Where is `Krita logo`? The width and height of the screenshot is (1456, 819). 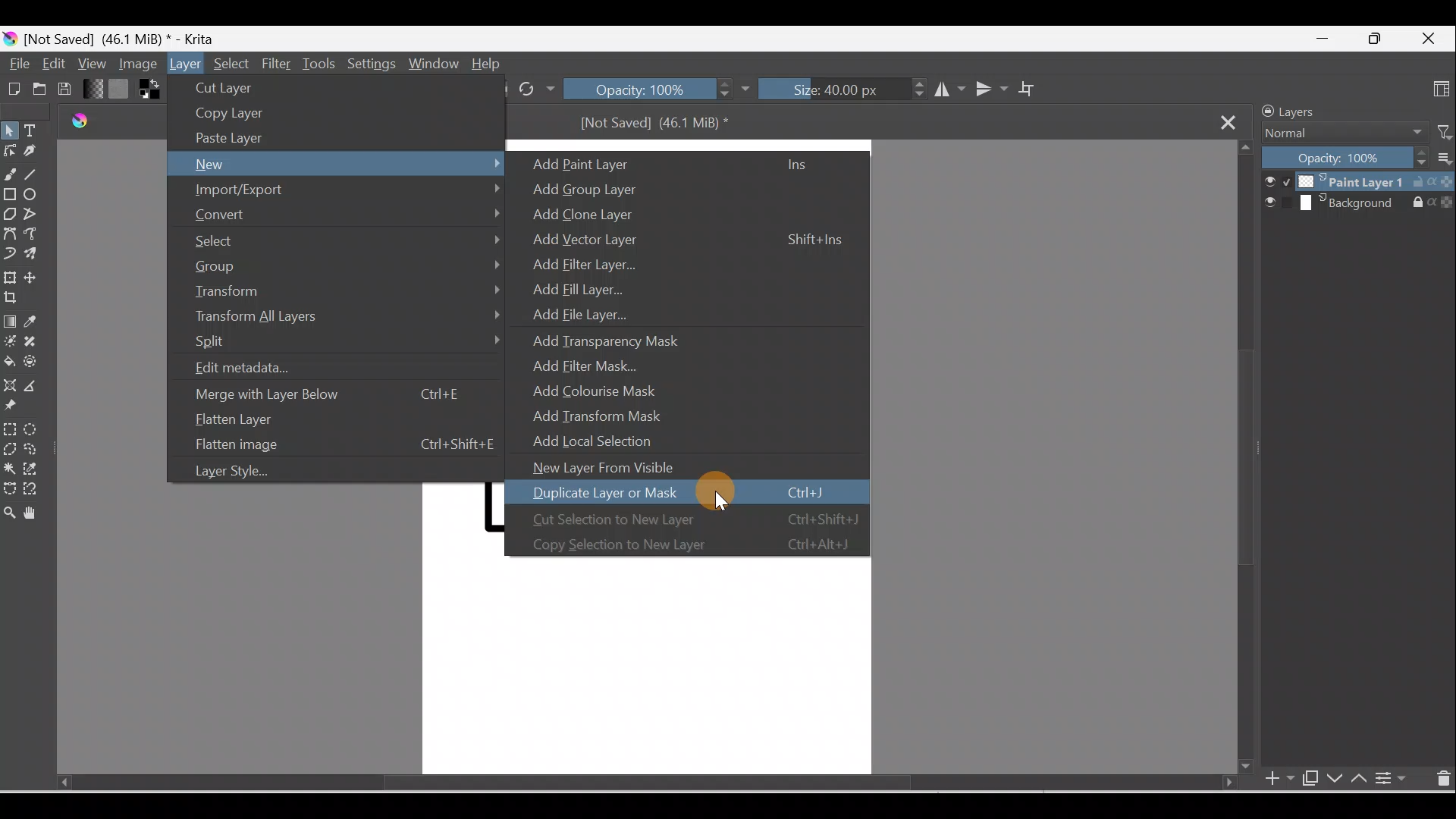
Krita logo is located at coordinates (9, 39).